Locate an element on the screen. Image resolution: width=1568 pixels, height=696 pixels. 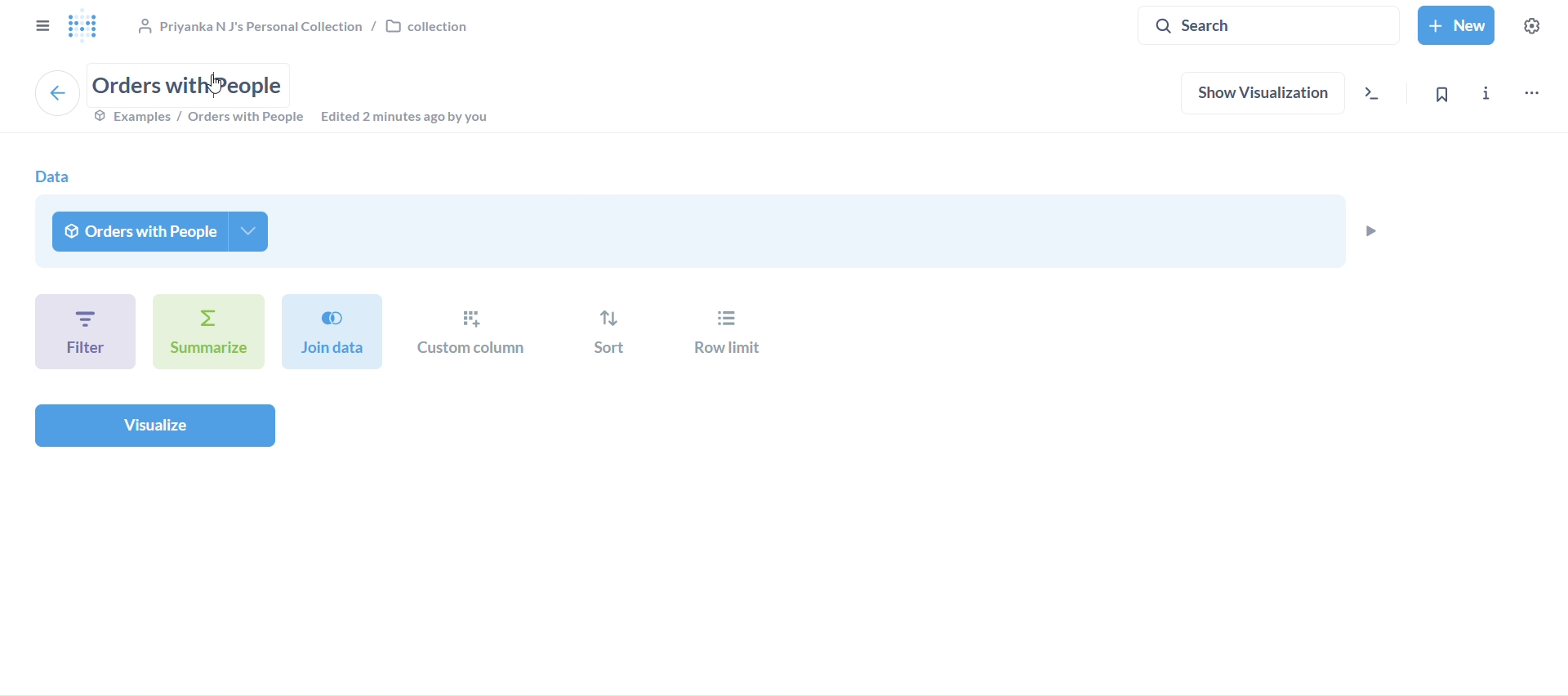
orders with people is located at coordinates (193, 83).